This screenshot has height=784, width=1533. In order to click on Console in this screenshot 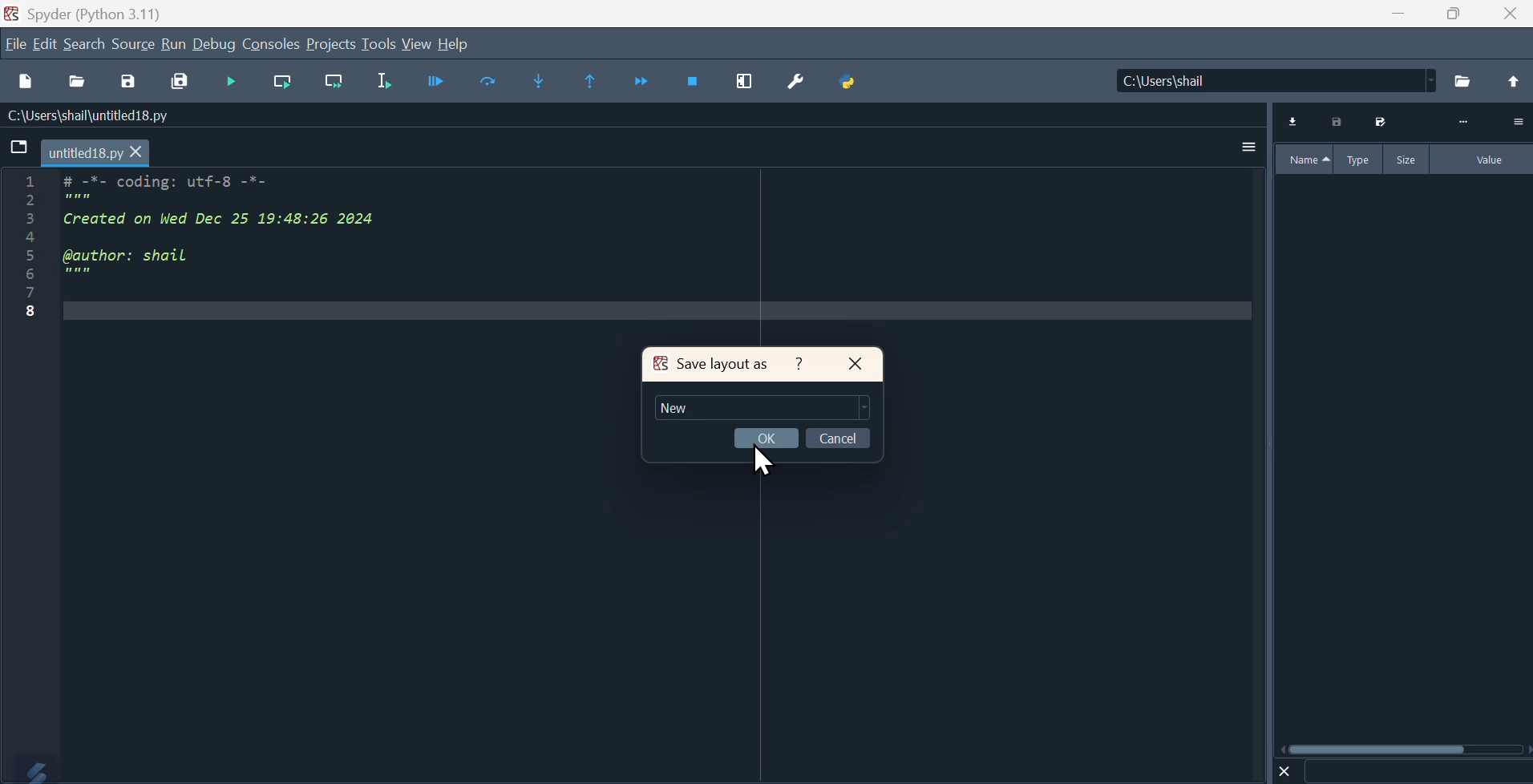, I will do `click(271, 43)`.